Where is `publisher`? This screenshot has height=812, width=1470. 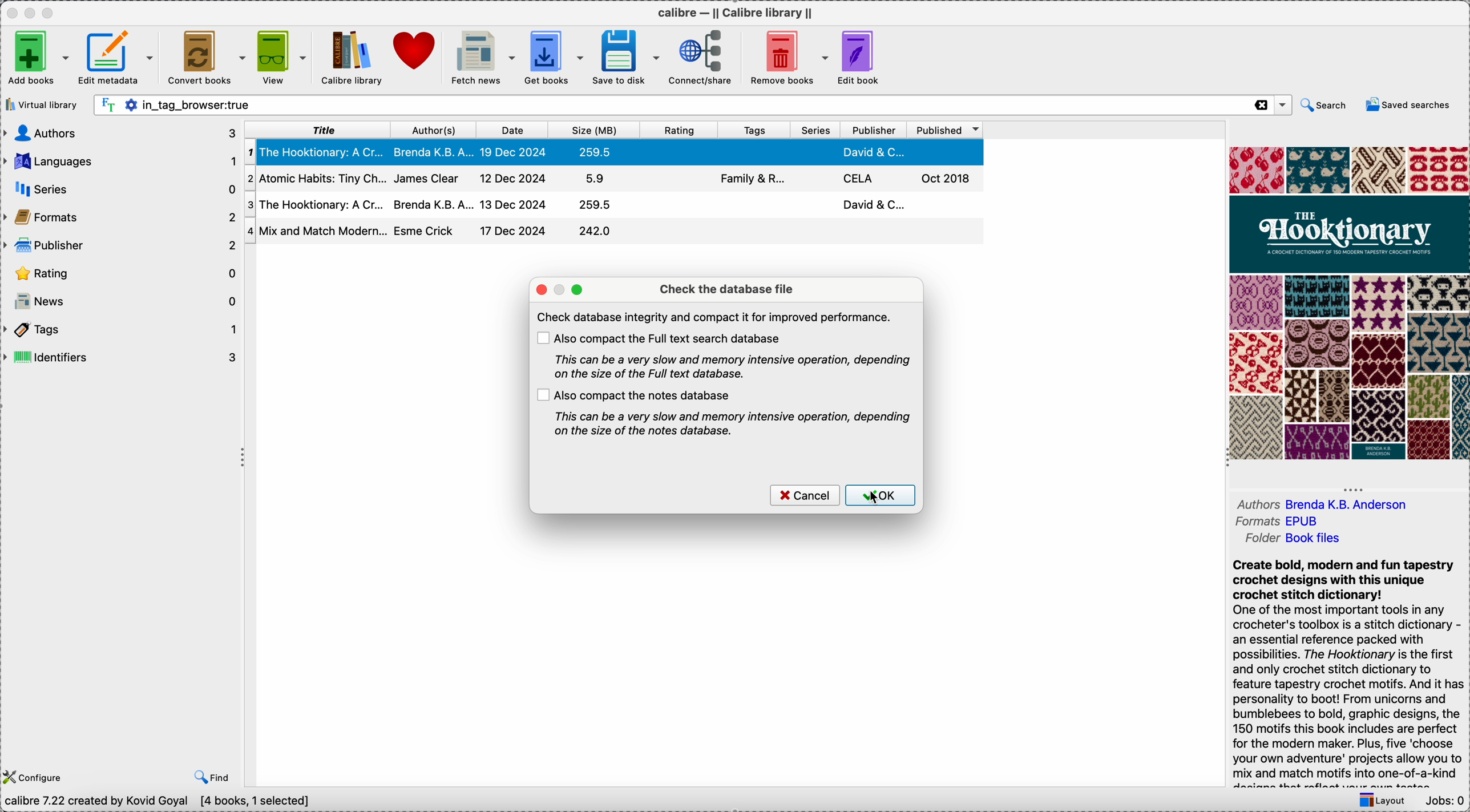 publisher is located at coordinates (875, 130).